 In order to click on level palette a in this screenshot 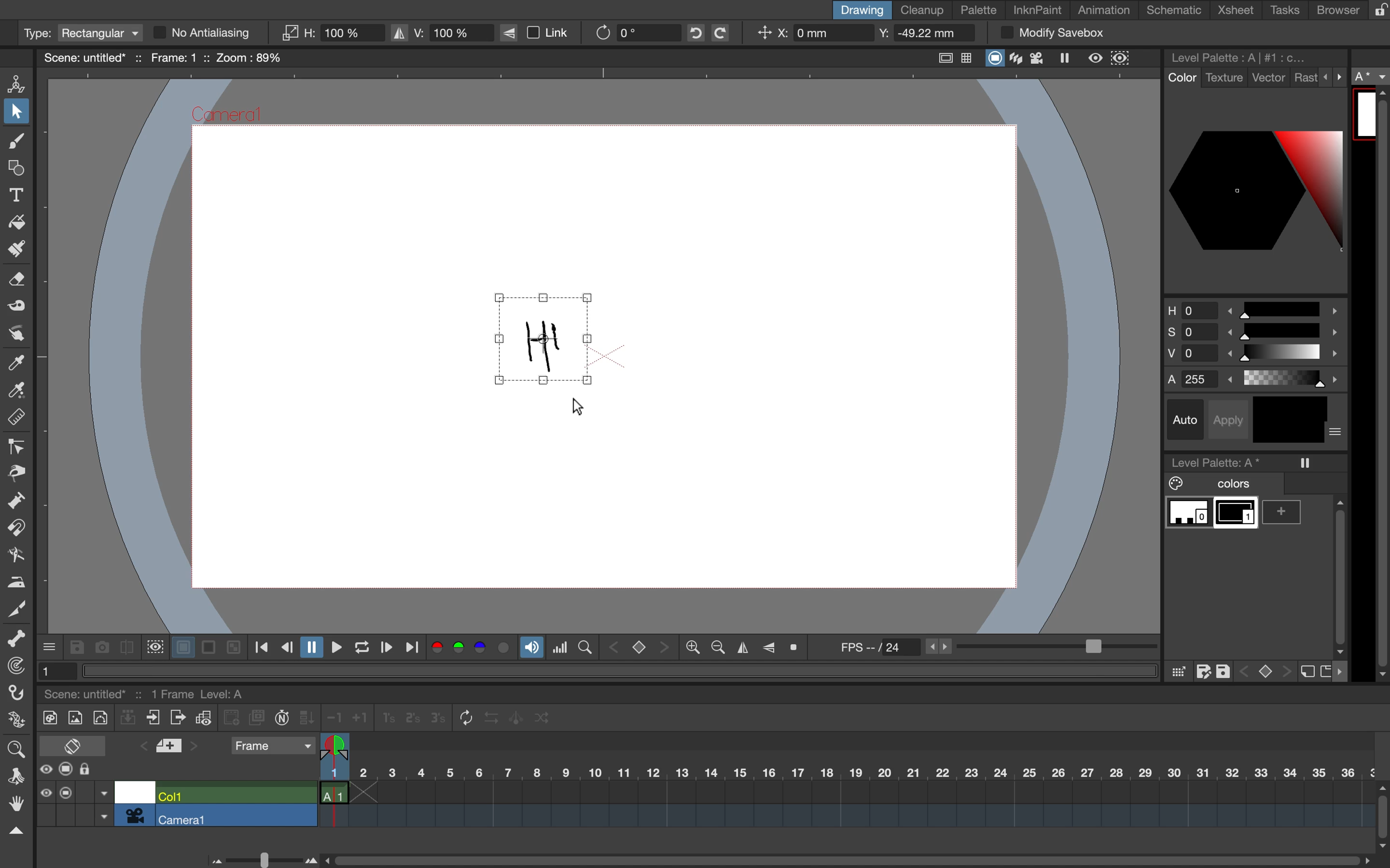, I will do `click(1220, 460)`.